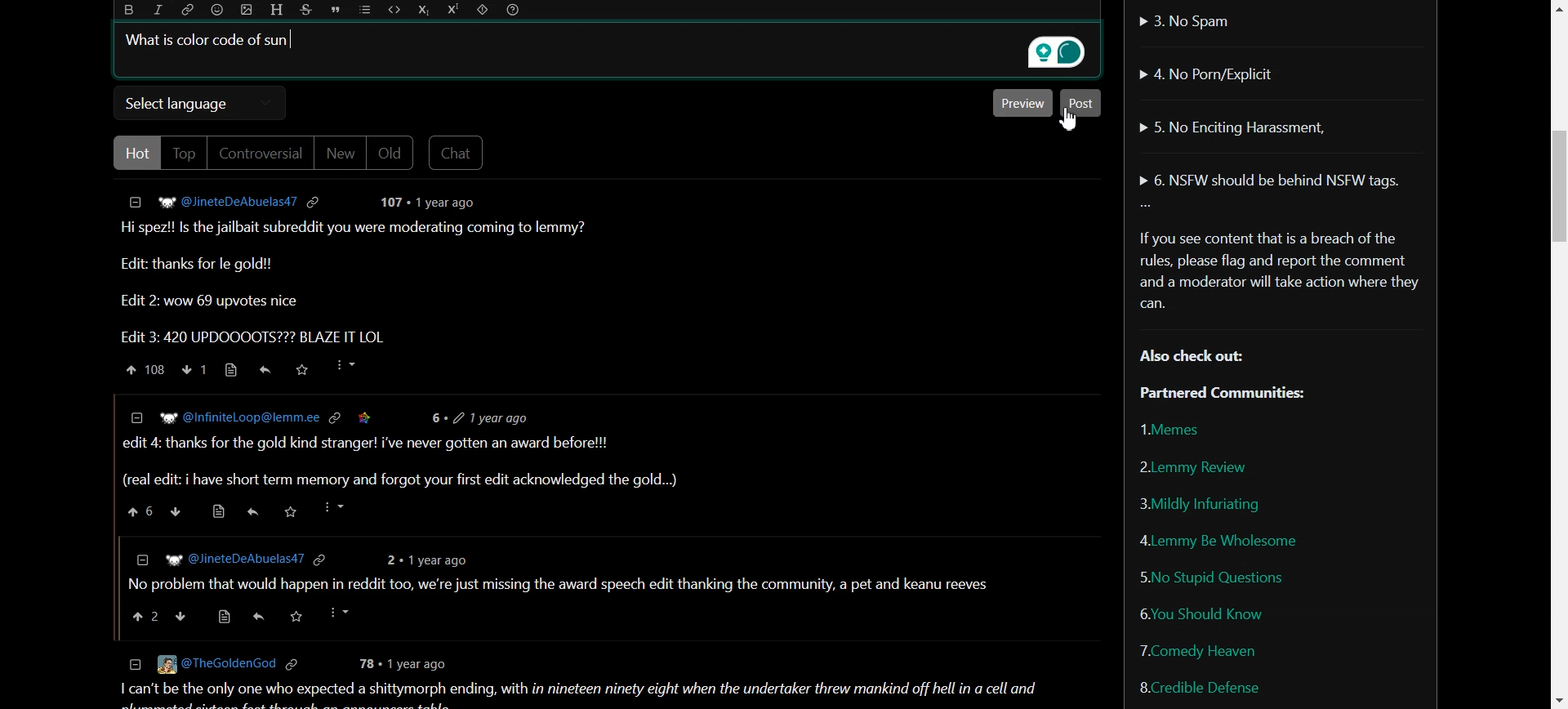 This screenshot has height=709, width=1568. What do you see at coordinates (253, 511) in the screenshot?
I see `reply` at bounding box center [253, 511].